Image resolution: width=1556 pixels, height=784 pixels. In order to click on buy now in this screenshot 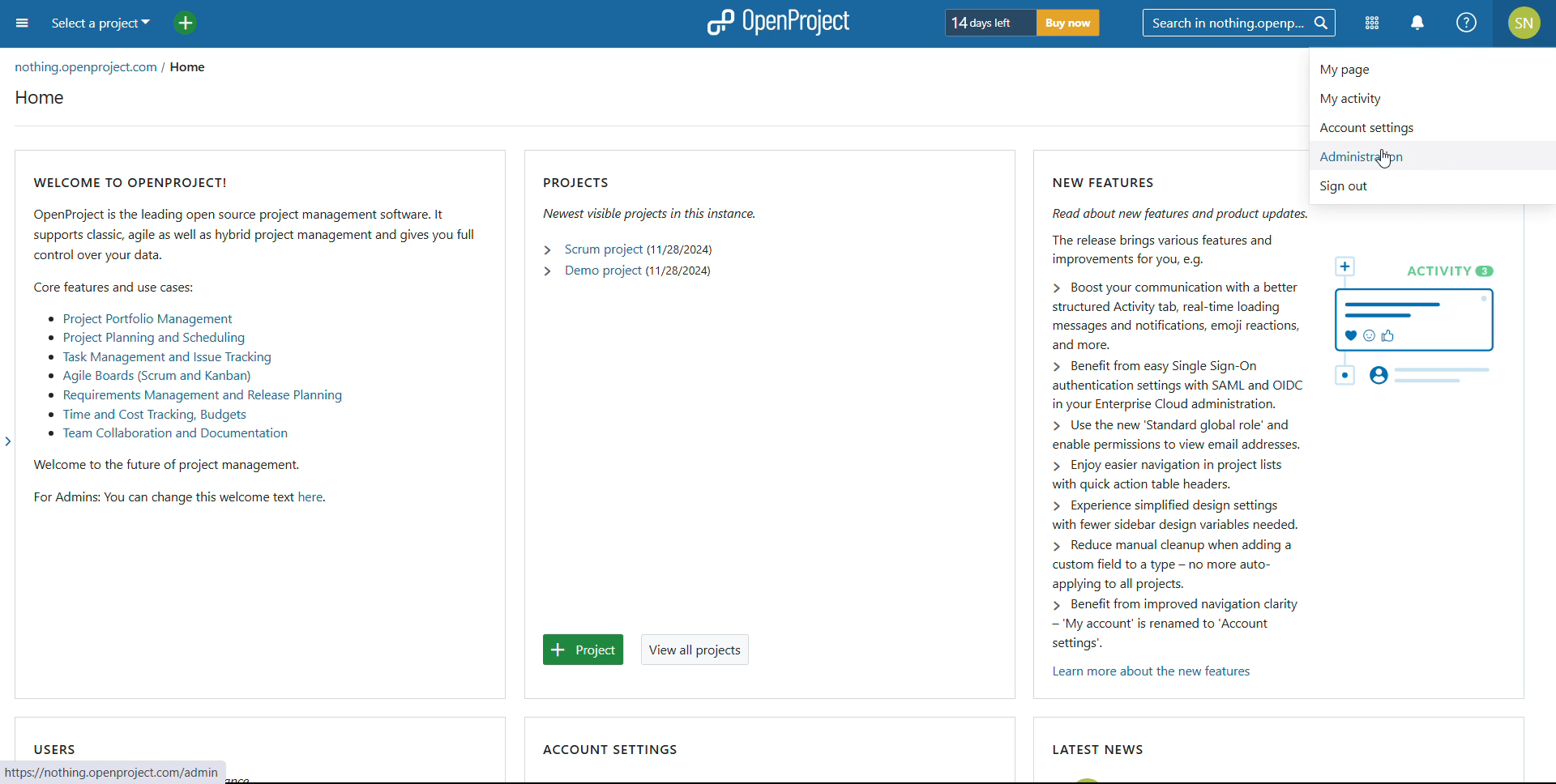, I will do `click(1068, 23)`.